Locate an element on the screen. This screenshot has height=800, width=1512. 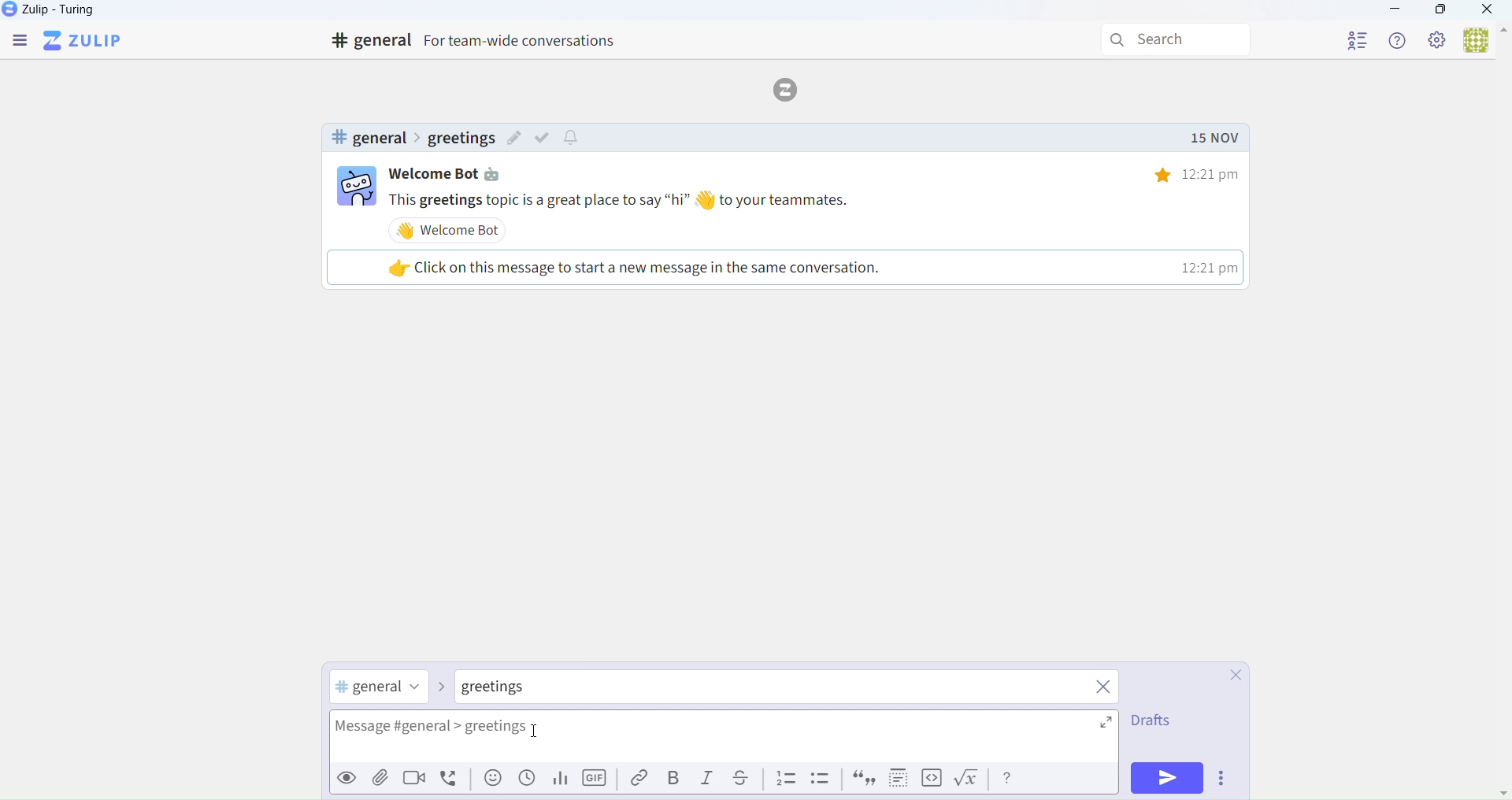
Messages is located at coordinates (818, 200).